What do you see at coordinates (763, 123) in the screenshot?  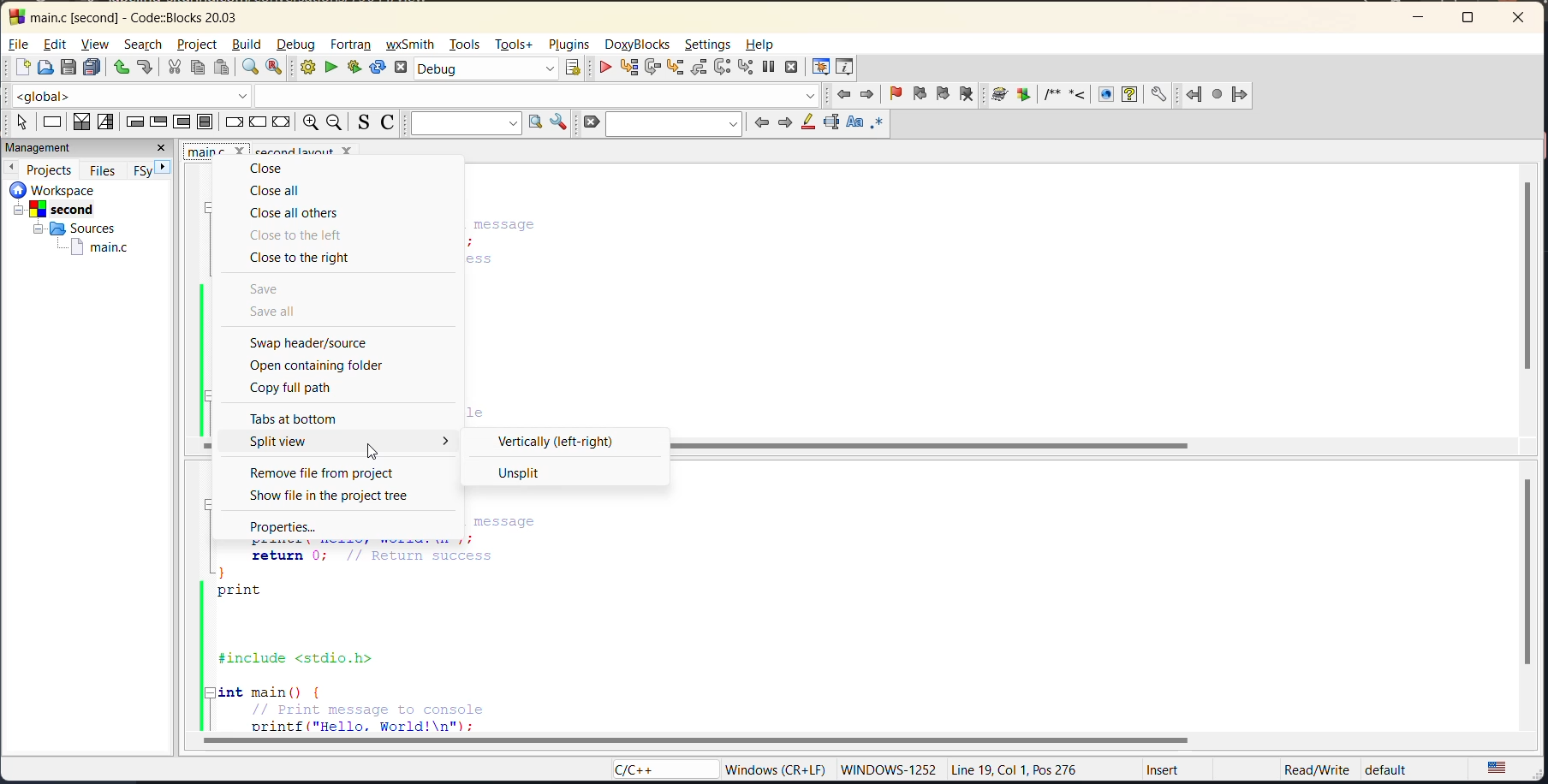 I see `previous` at bounding box center [763, 123].